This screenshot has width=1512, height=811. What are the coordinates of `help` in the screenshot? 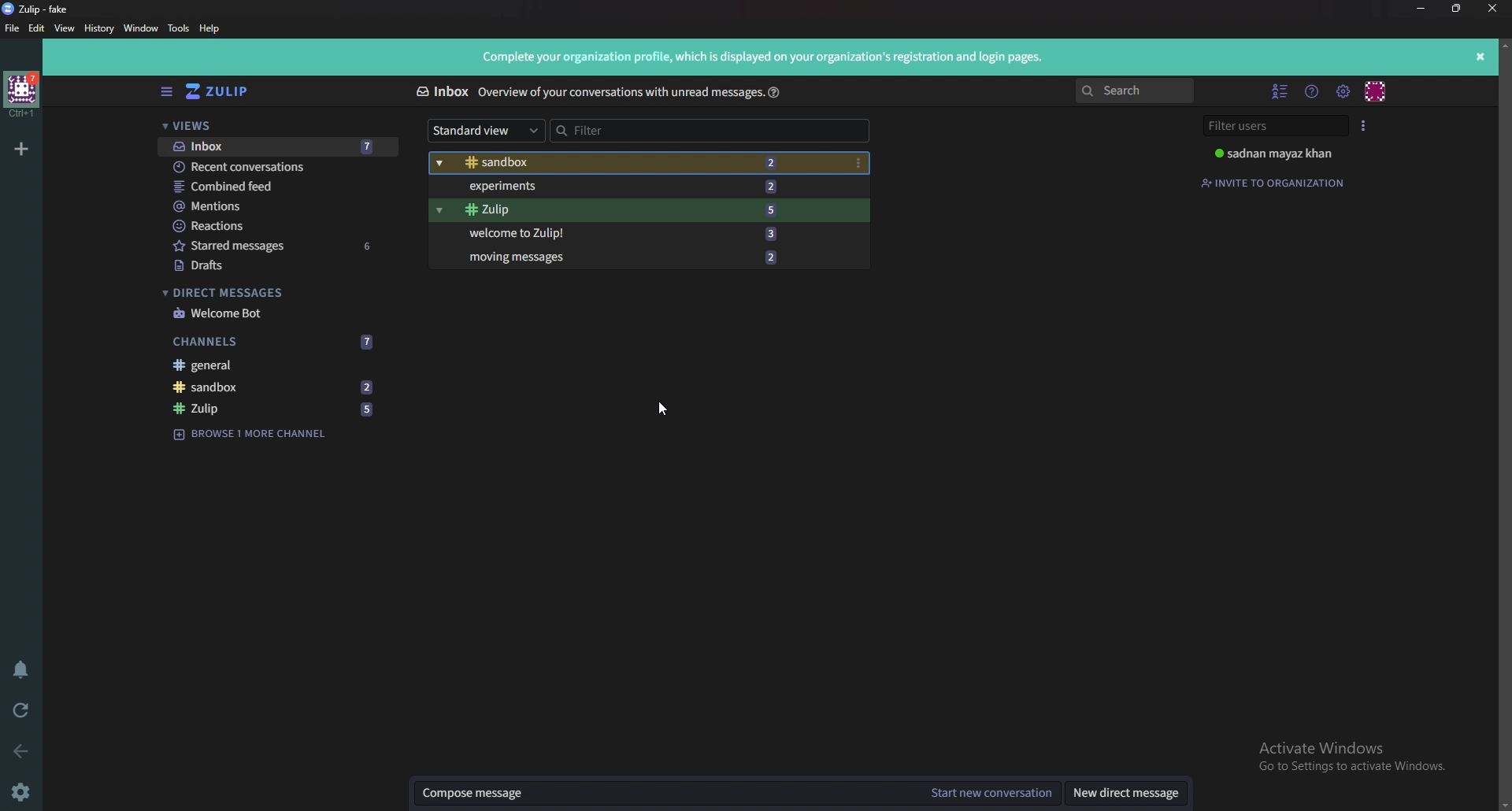 It's located at (774, 91).